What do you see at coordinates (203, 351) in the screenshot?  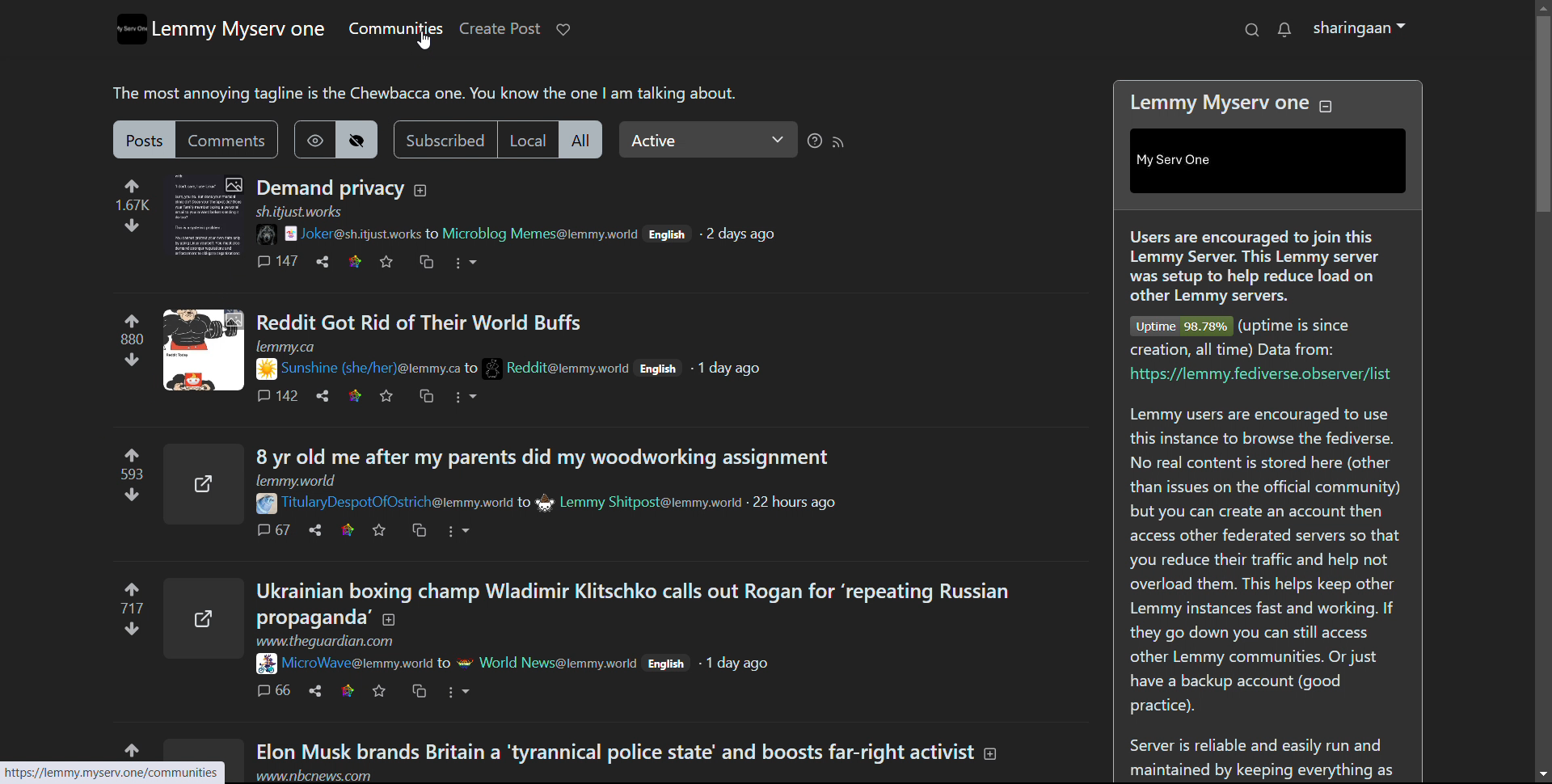 I see `thumbnail` at bounding box center [203, 351].